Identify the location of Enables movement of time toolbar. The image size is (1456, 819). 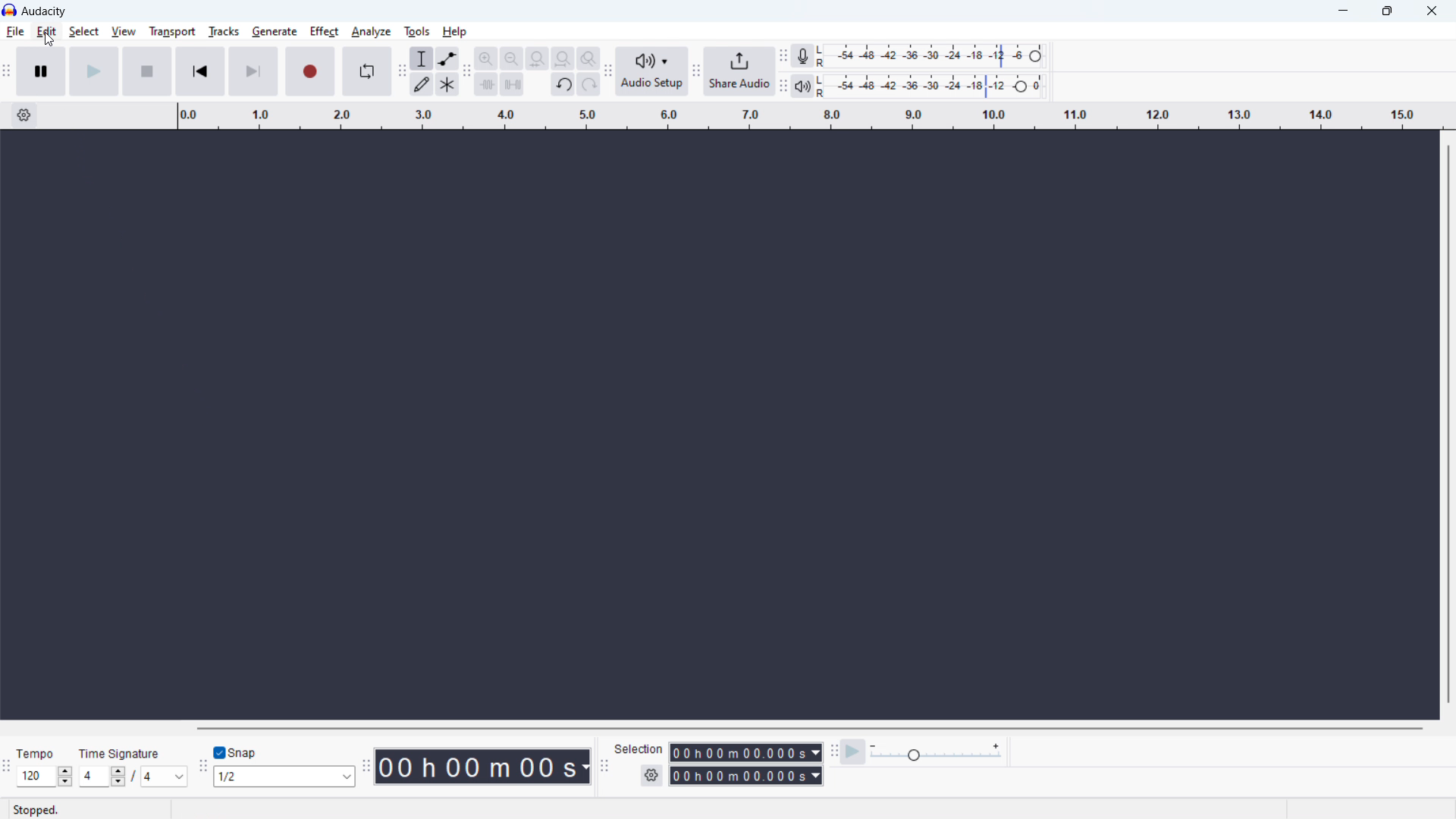
(367, 767).